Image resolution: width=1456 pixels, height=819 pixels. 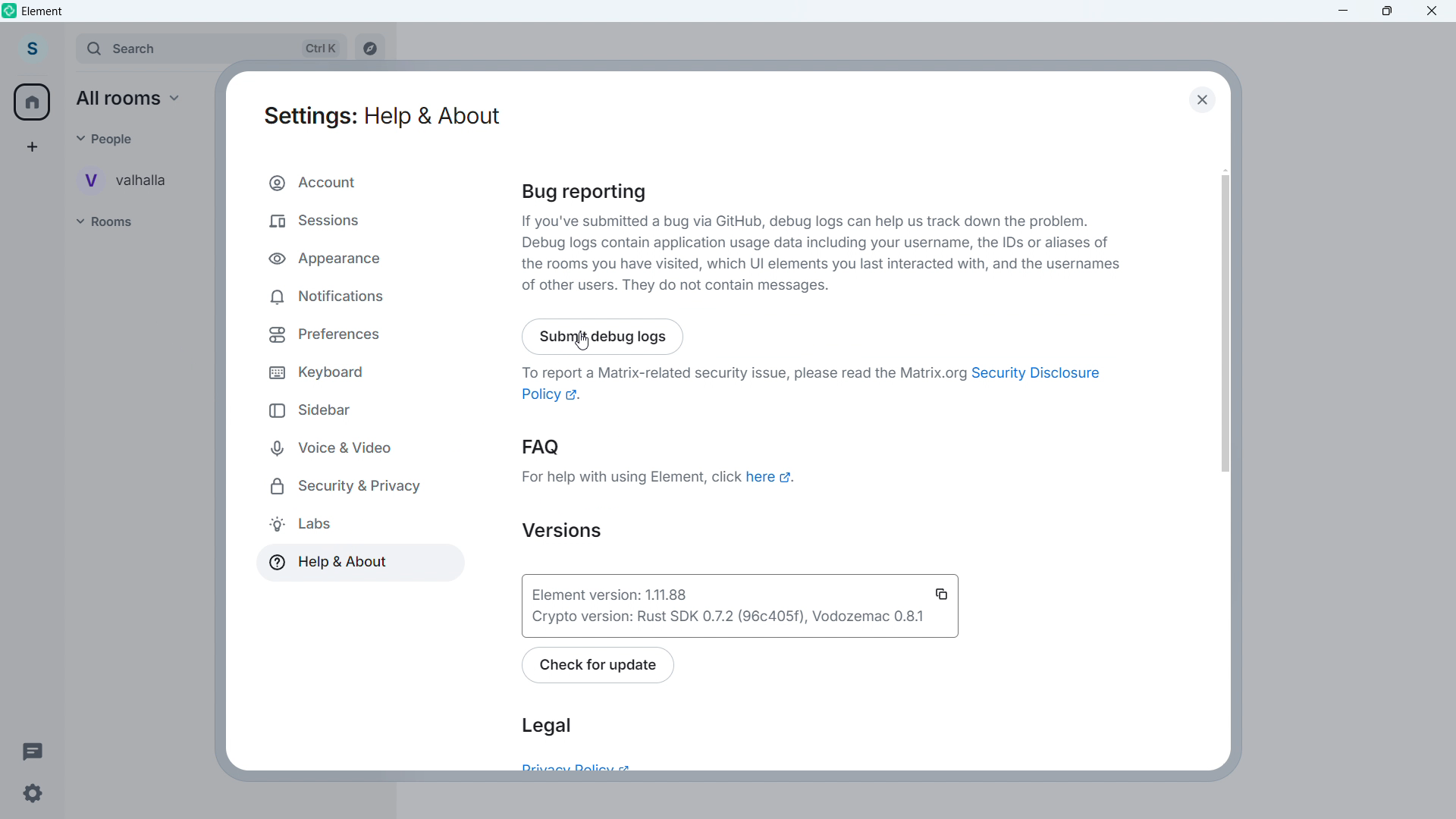 What do you see at coordinates (299, 525) in the screenshot?
I see `Labs ` at bounding box center [299, 525].